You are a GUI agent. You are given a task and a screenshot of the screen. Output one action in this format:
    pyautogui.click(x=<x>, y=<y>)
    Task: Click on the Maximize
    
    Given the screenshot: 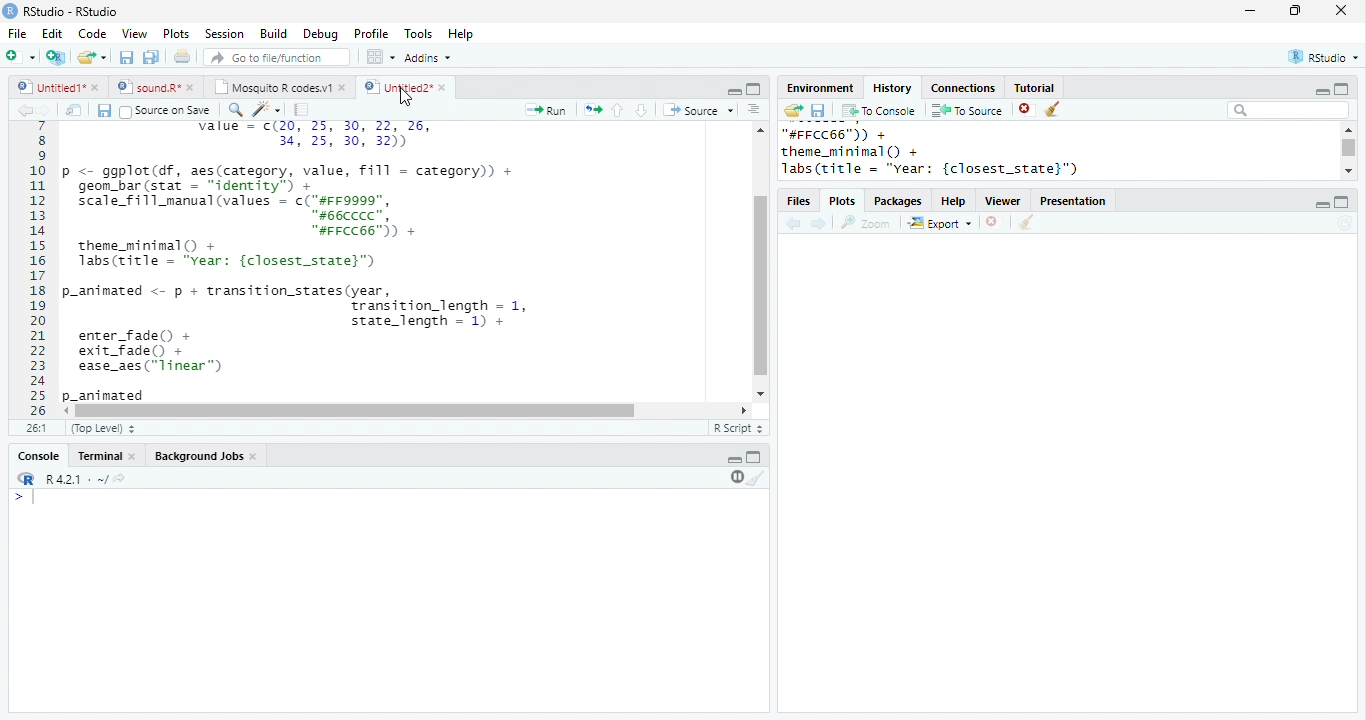 What is the action you would take?
    pyautogui.click(x=754, y=457)
    